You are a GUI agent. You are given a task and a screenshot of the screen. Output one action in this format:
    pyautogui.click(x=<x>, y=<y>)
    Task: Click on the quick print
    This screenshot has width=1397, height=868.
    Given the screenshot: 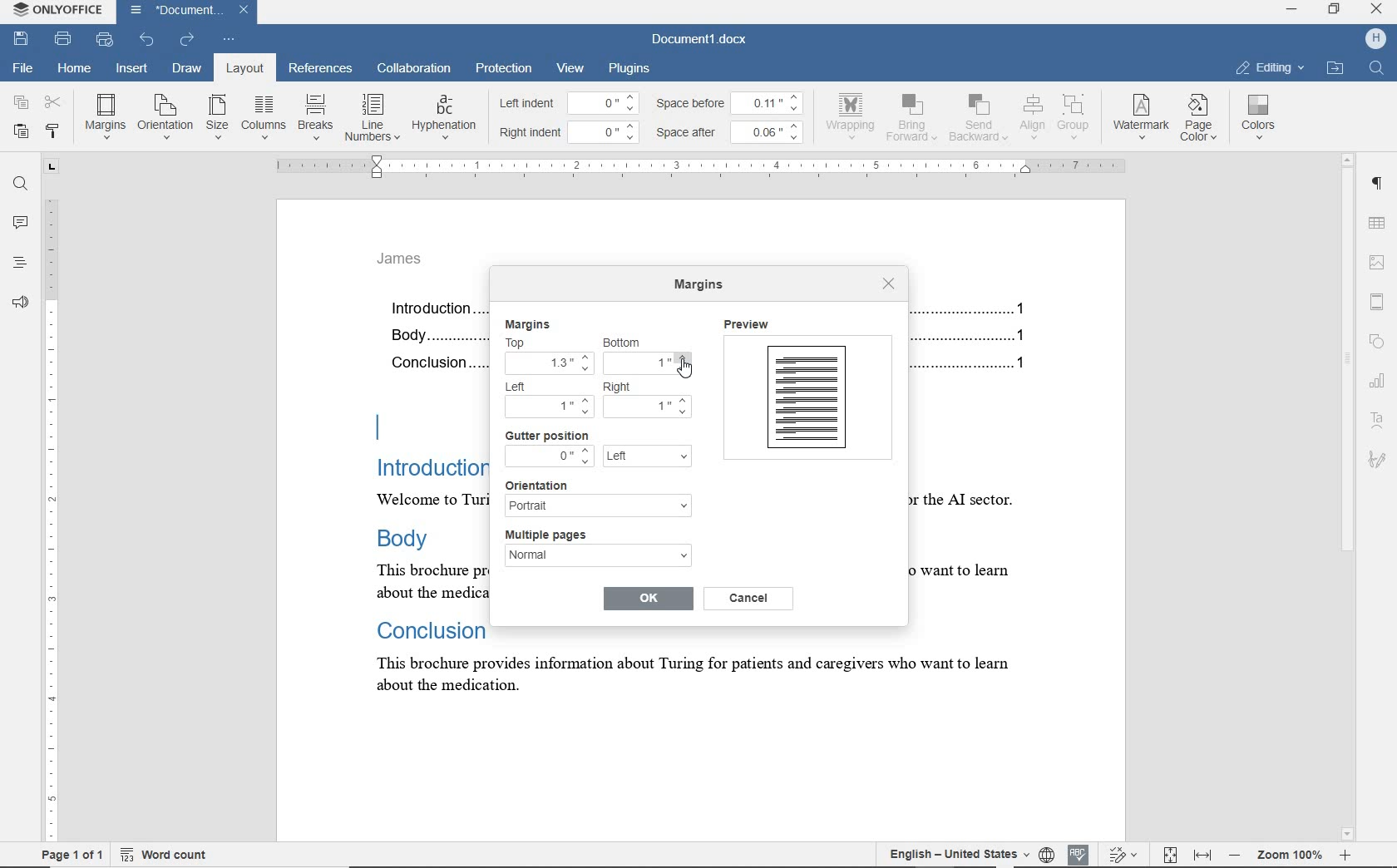 What is the action you would take?
    pyautogui.click(x=106, y=42)
    